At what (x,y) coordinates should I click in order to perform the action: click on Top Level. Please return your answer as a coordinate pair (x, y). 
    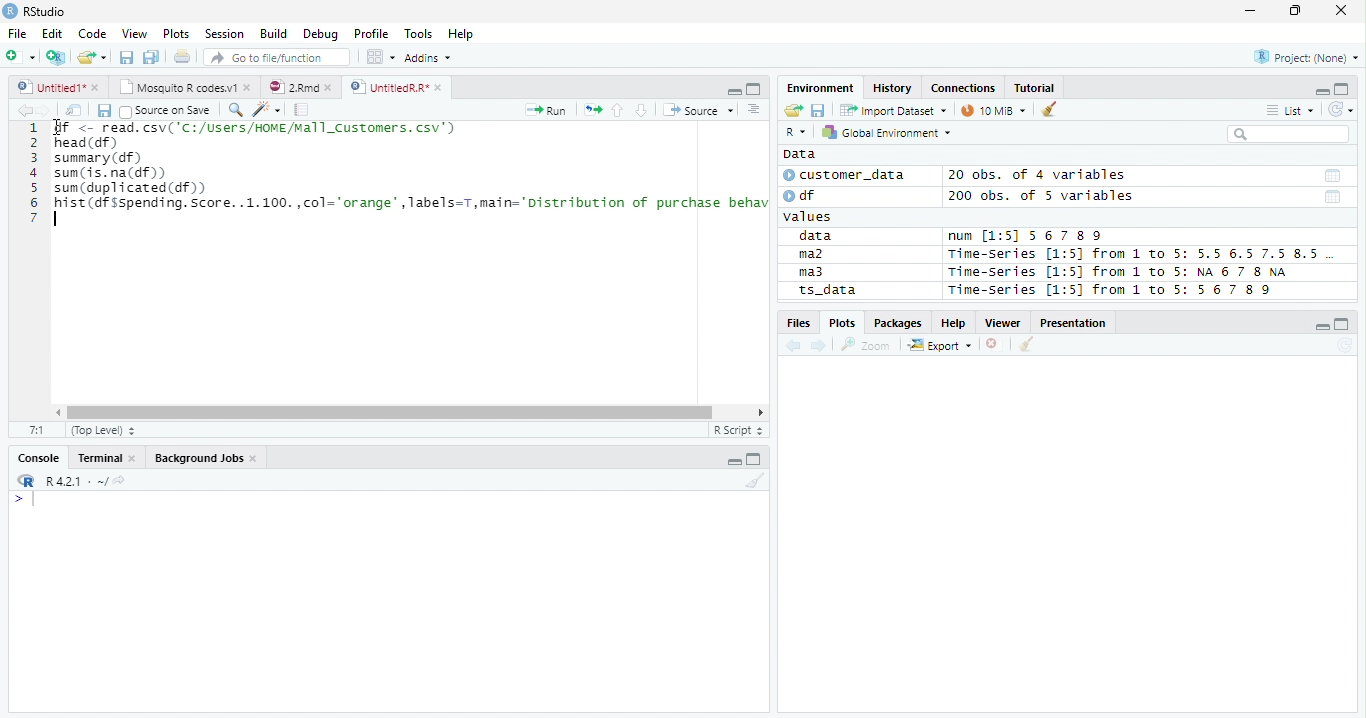
    Looking at the image, I should click on (101, 431).